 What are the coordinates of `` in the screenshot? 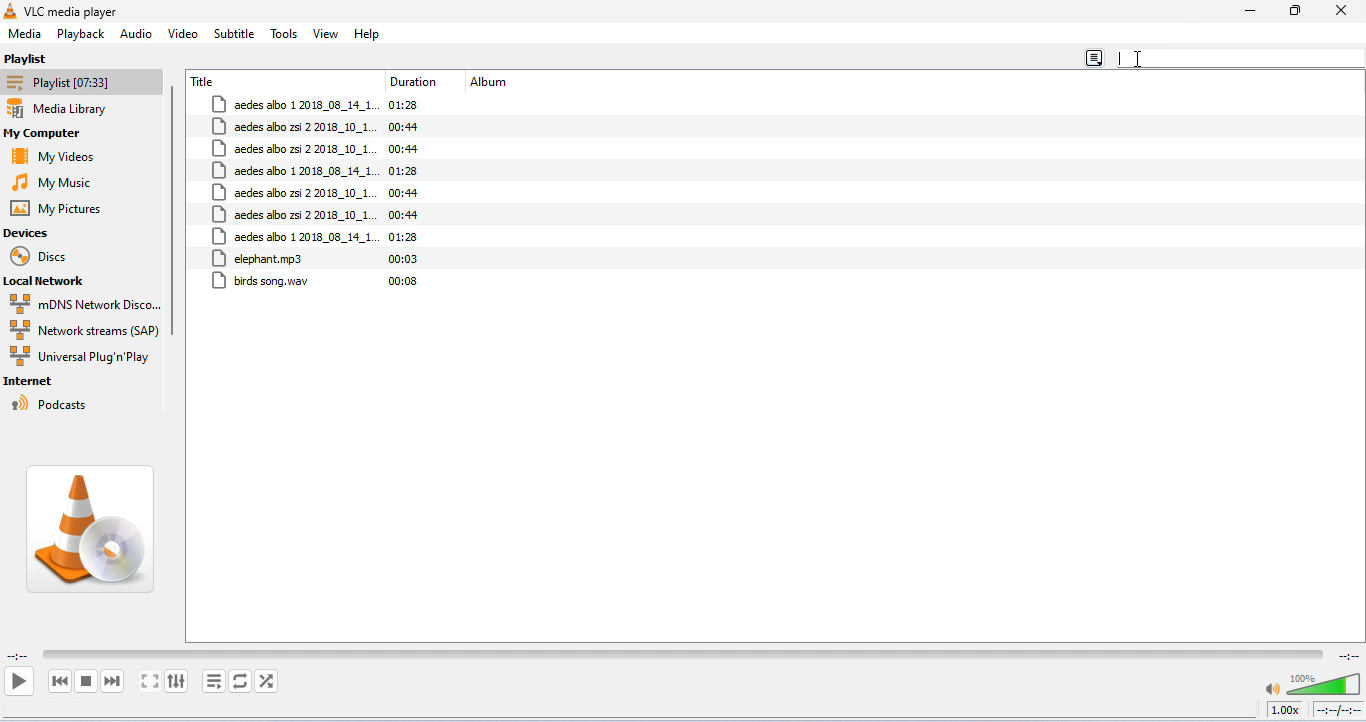 It's located at (1295, 11).